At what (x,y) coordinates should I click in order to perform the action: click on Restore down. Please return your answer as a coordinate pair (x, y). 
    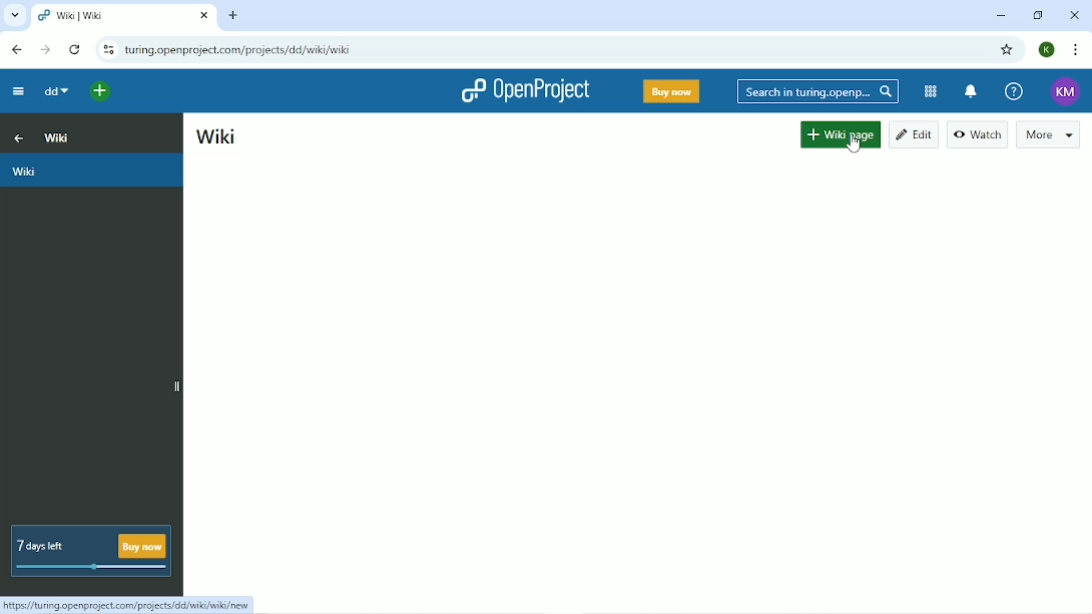
    Looking at the image, I should click on (1036, 15).